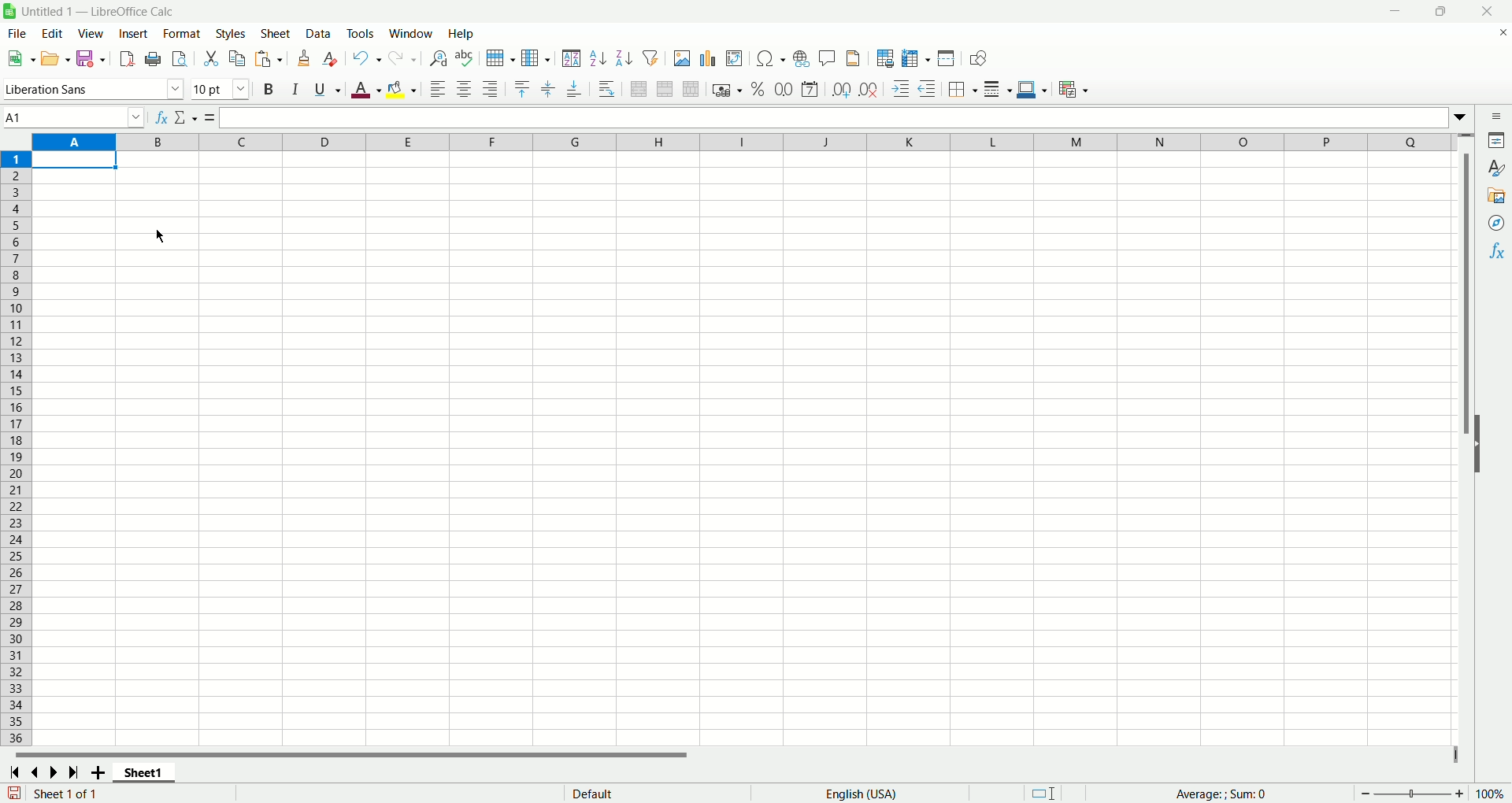 The width and height of the screenshot is (1512, 803). Describe the element at coordinates (182, 33) in the screenshot. I see `format` at that location.